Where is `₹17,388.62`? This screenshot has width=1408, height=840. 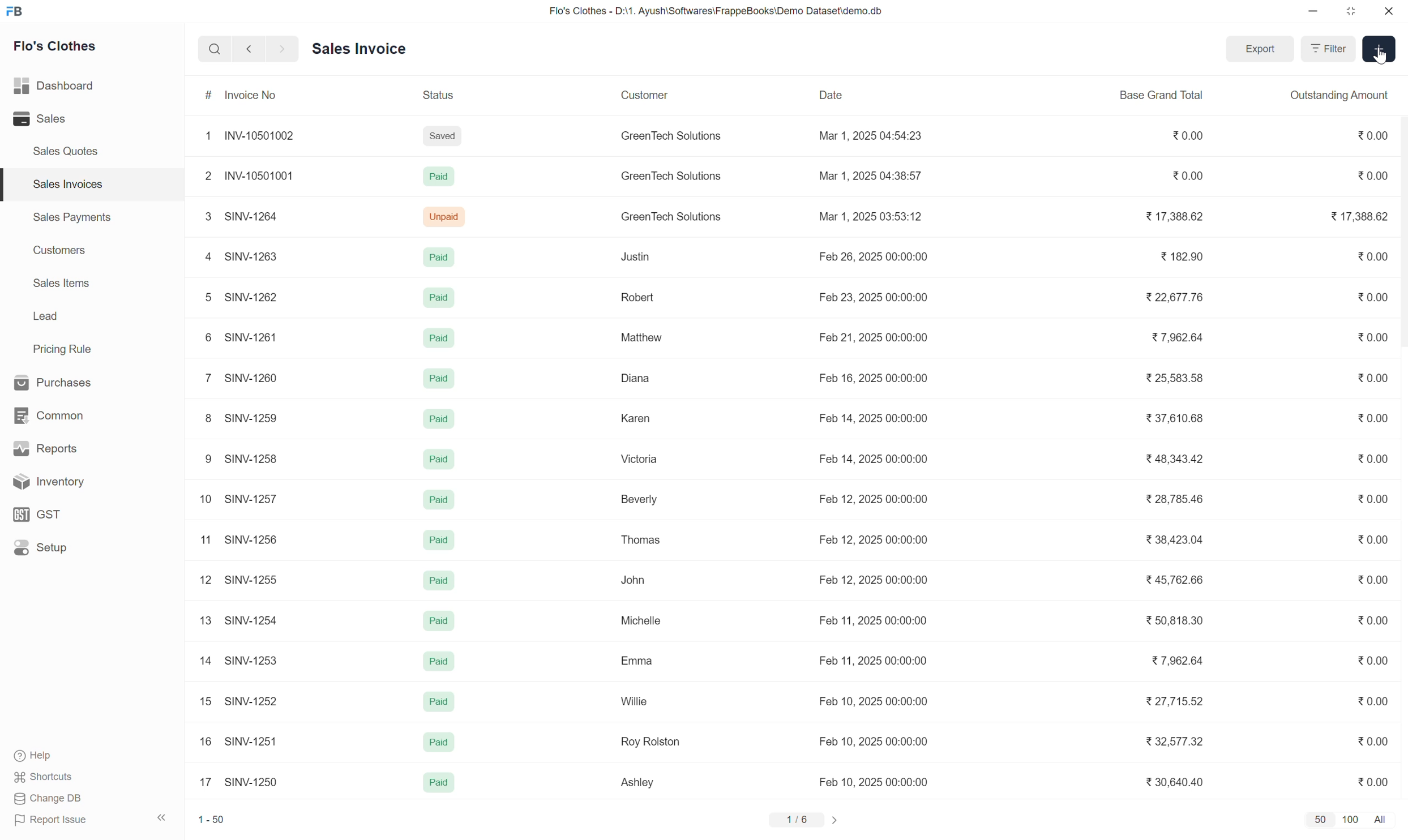
₹17,388.62 is located at coordinates (1358, 218).